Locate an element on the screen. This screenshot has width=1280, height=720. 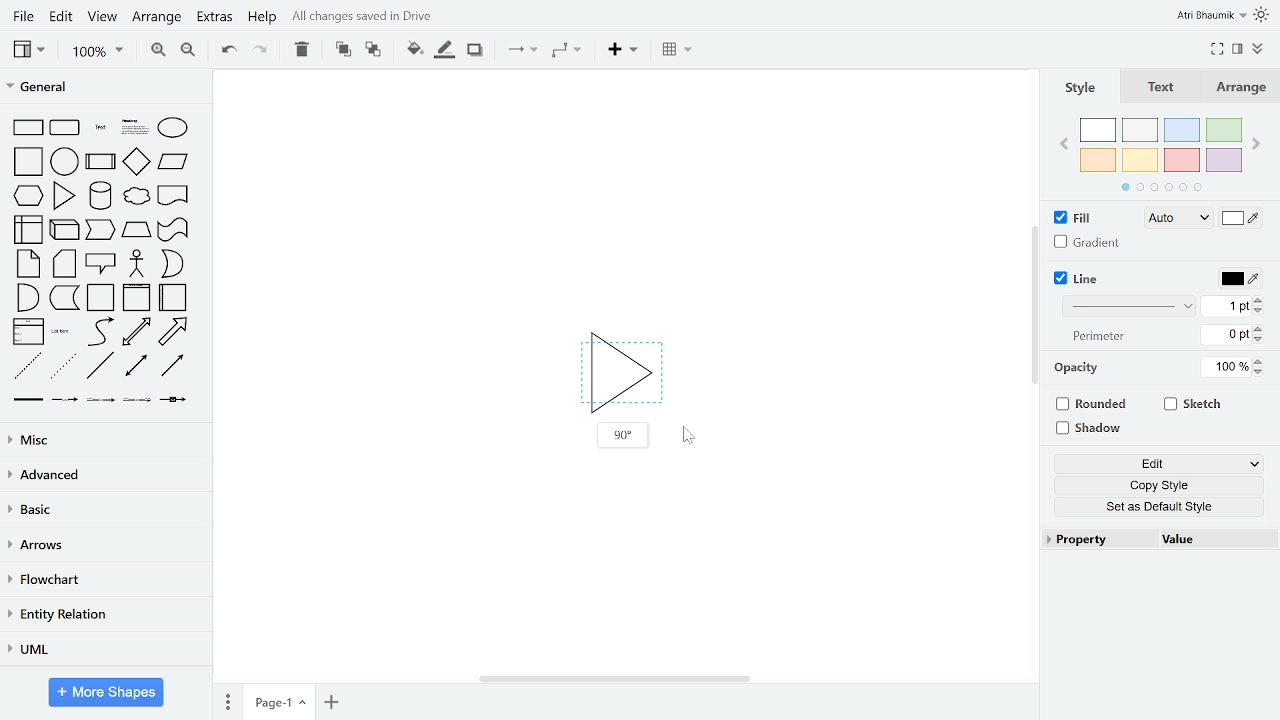
edit is located at coordinates (62, 17).